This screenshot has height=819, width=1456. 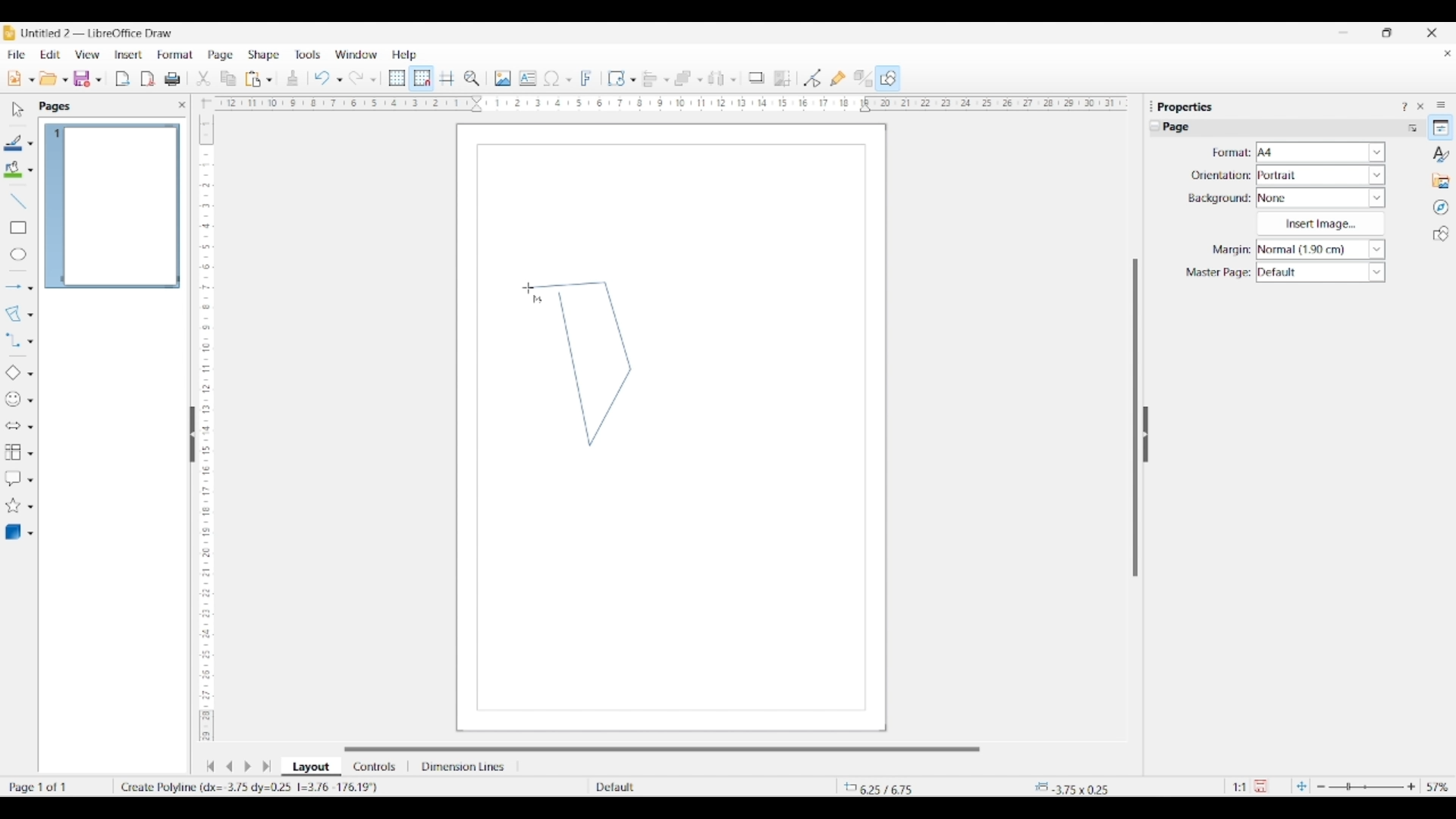 What do you see at coordinates (1183, 129) in the screenshot?
I see `Current settings title - Page` at bounding box center [1183, 129].